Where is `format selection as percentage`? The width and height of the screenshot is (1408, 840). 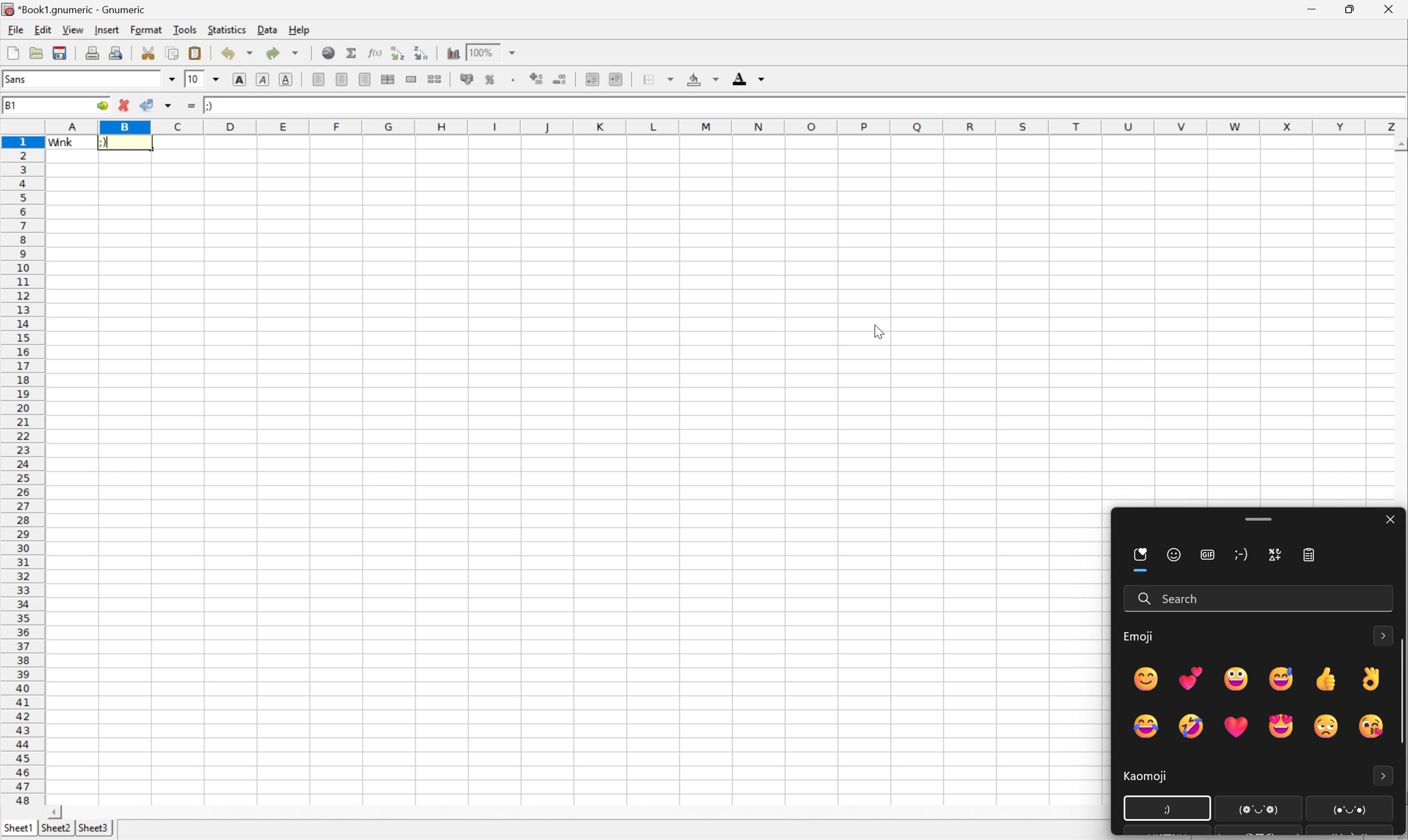
format selection as percentage is located at coordinates (492, 79).